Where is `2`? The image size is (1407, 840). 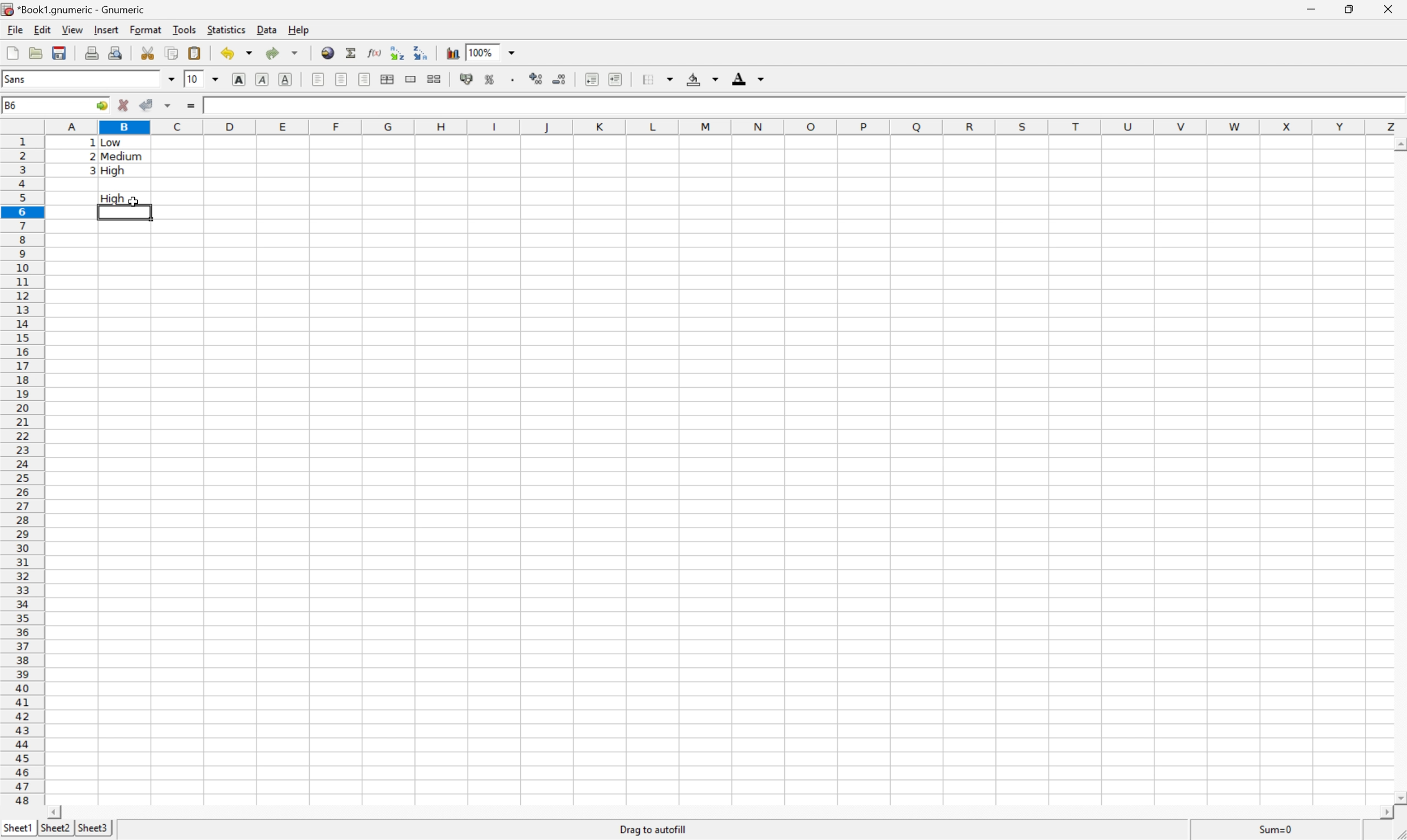
2 is located at coordinates (86, 157).